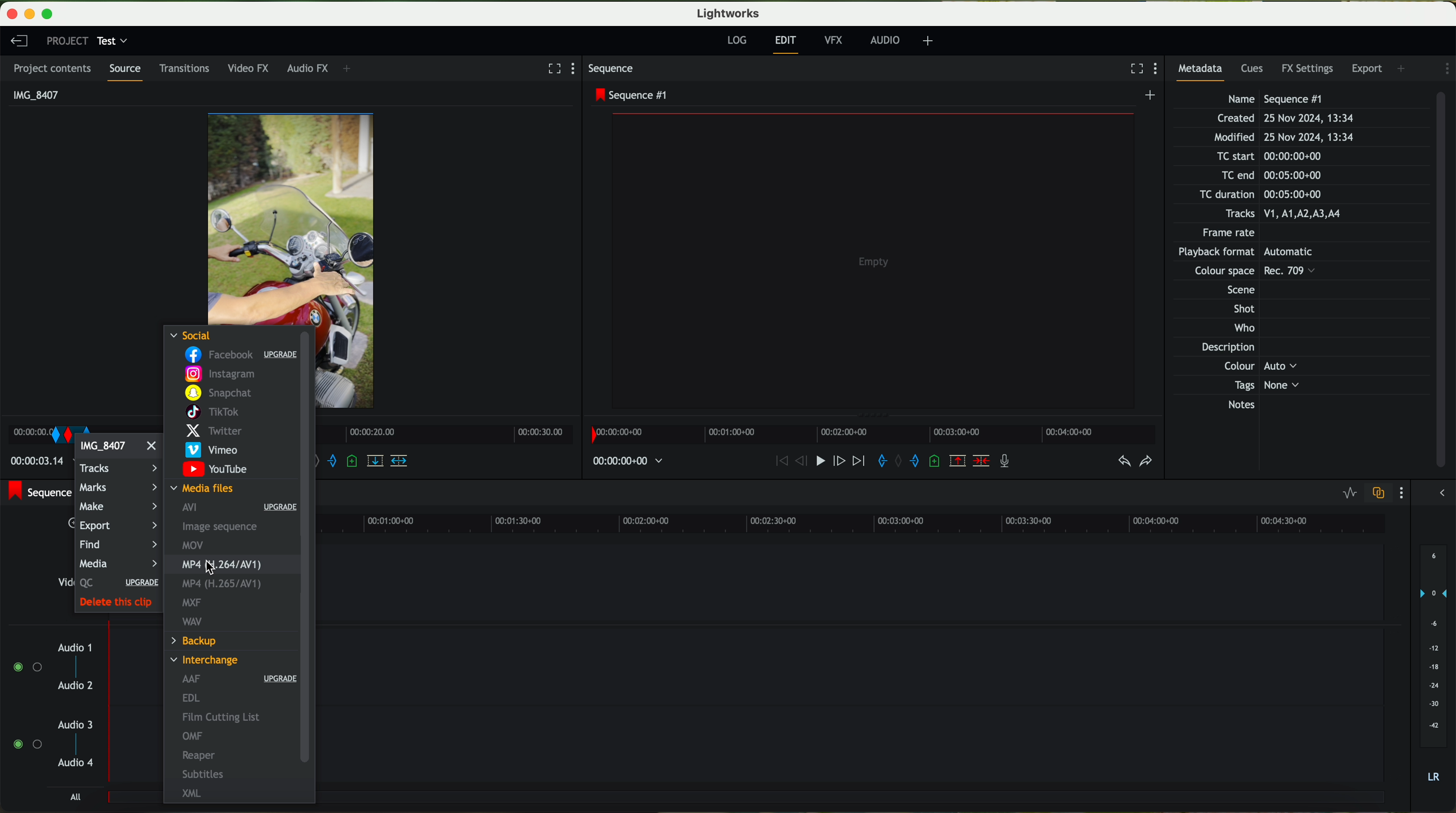  Describe the element at coordinates (119, 507) in the screenshot. I see `make` at that location.